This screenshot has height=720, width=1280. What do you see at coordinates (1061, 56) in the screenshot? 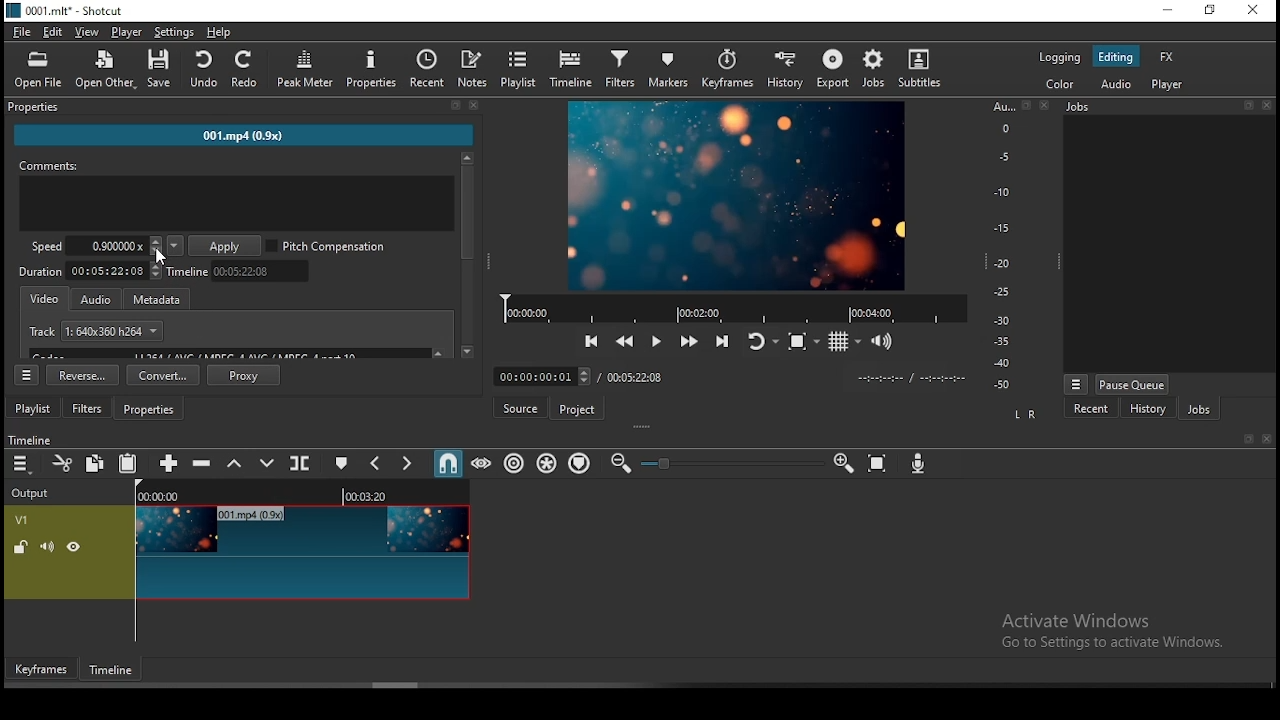
I see `logging` at bounding box center [1061, 56].